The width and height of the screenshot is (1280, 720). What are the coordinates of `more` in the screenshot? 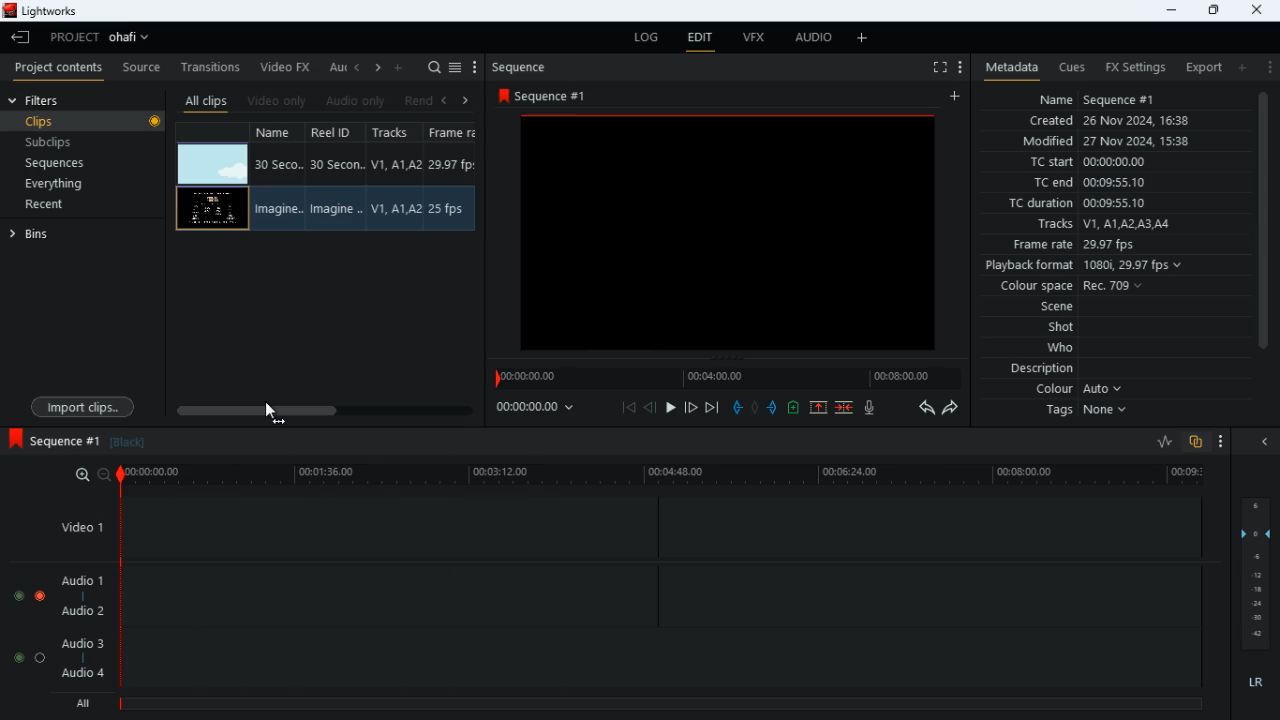 It's located at (1267, 66).